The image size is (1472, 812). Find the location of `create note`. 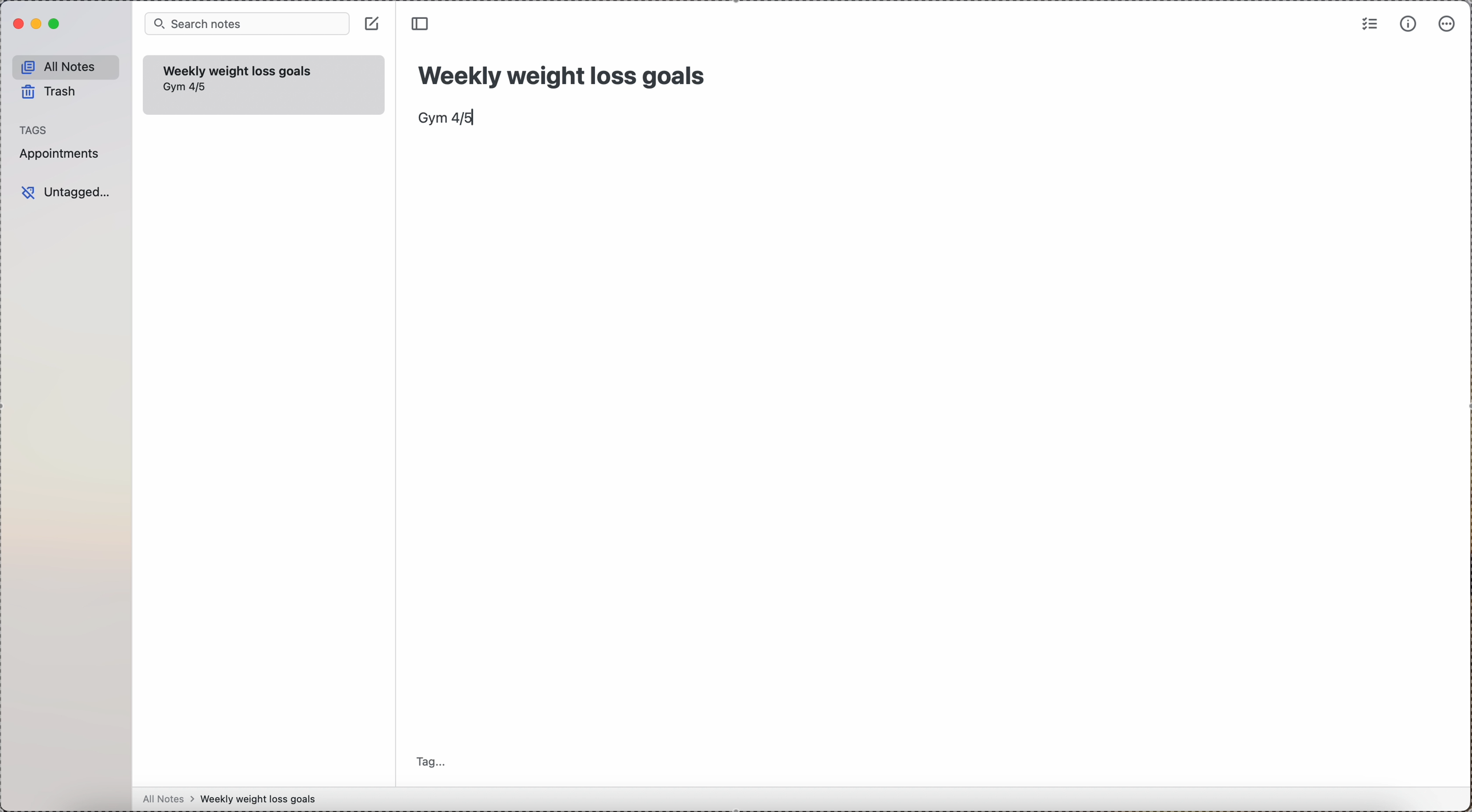

create note is located at coordinates (373, 23).